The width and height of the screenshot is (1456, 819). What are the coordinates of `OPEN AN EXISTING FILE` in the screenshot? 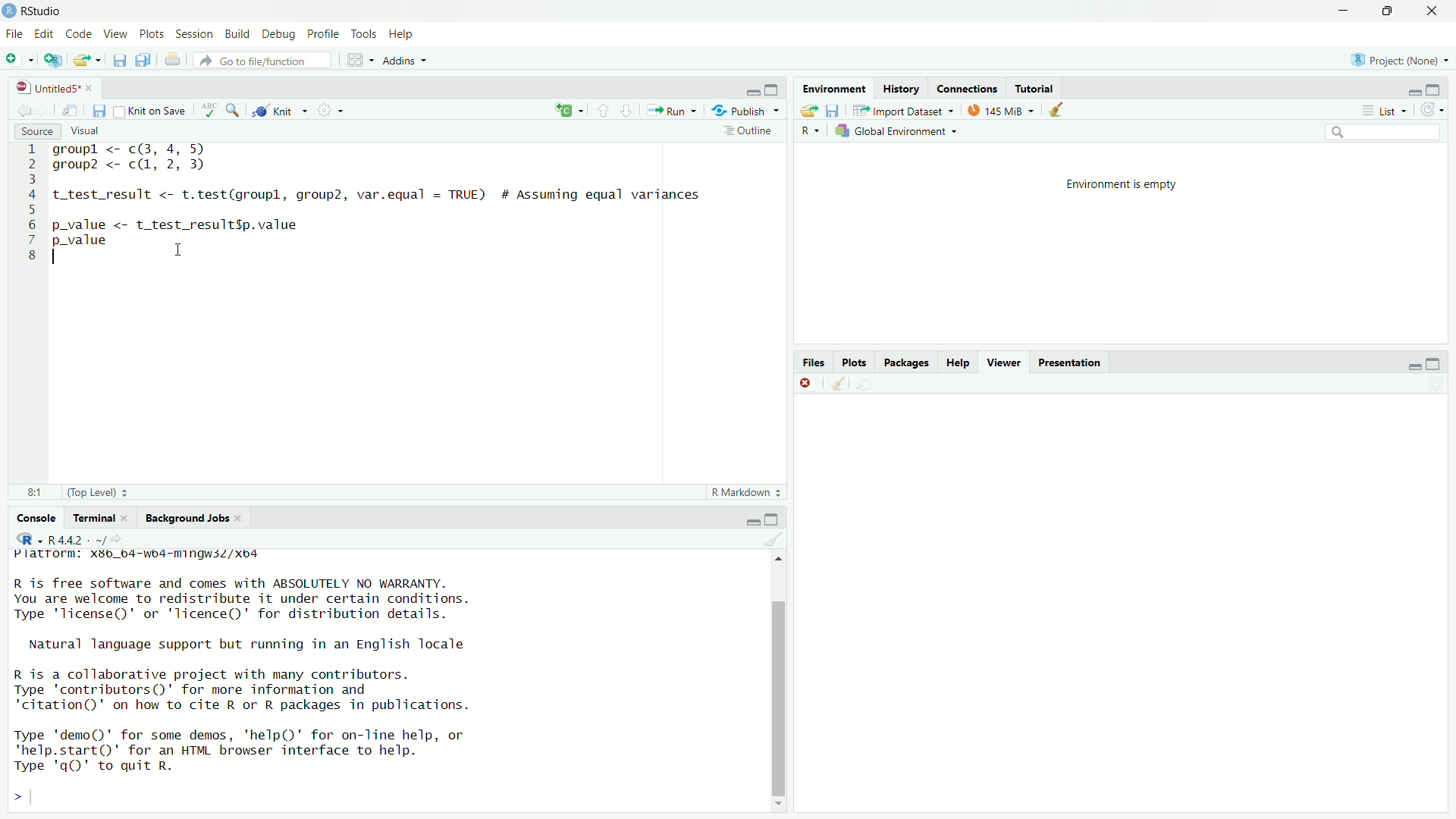 It's located at (86, 60).